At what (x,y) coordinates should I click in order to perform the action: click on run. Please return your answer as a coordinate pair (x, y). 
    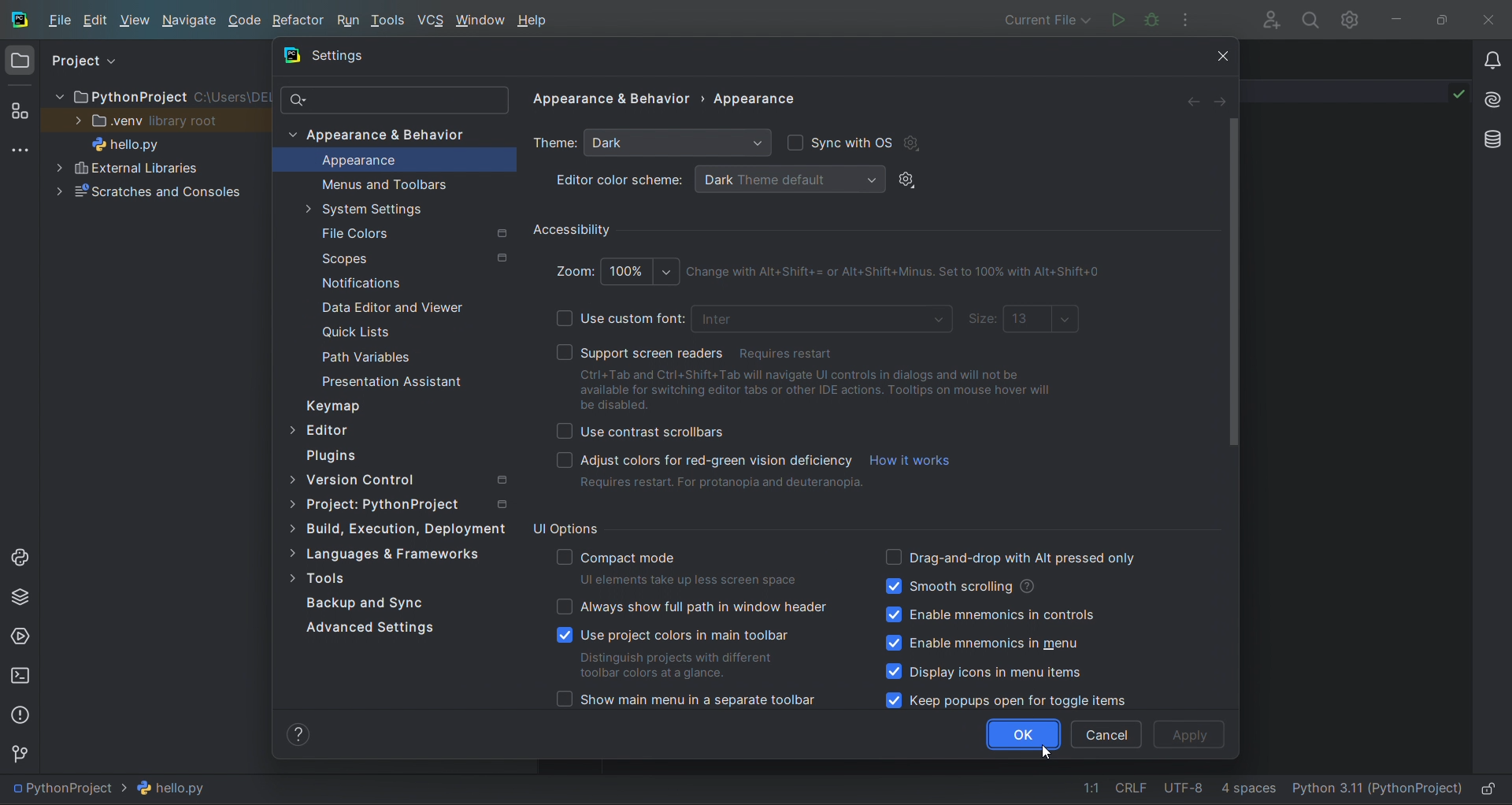
    Looking at the image, I should click on (346, 21).